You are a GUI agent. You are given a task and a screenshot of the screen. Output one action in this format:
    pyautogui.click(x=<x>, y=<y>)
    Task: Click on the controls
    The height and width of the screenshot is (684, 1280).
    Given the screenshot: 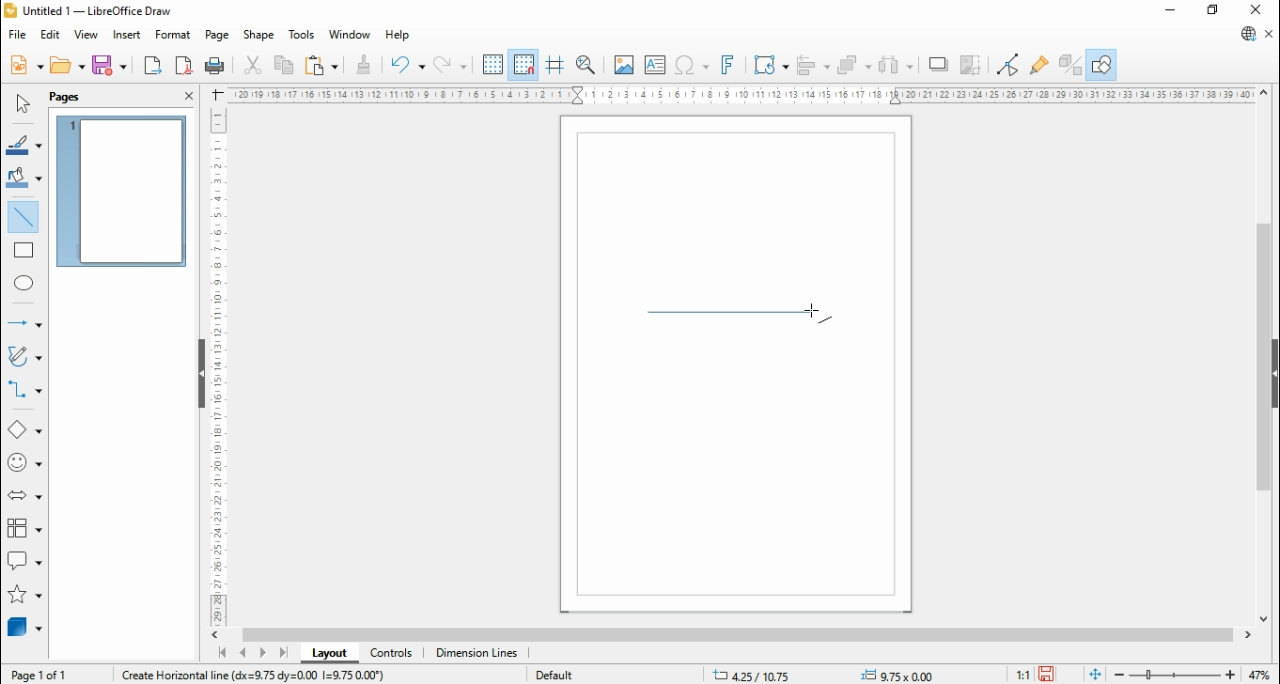 What is the action you would take?
    pyautogui.click(x=391, y=654)
    